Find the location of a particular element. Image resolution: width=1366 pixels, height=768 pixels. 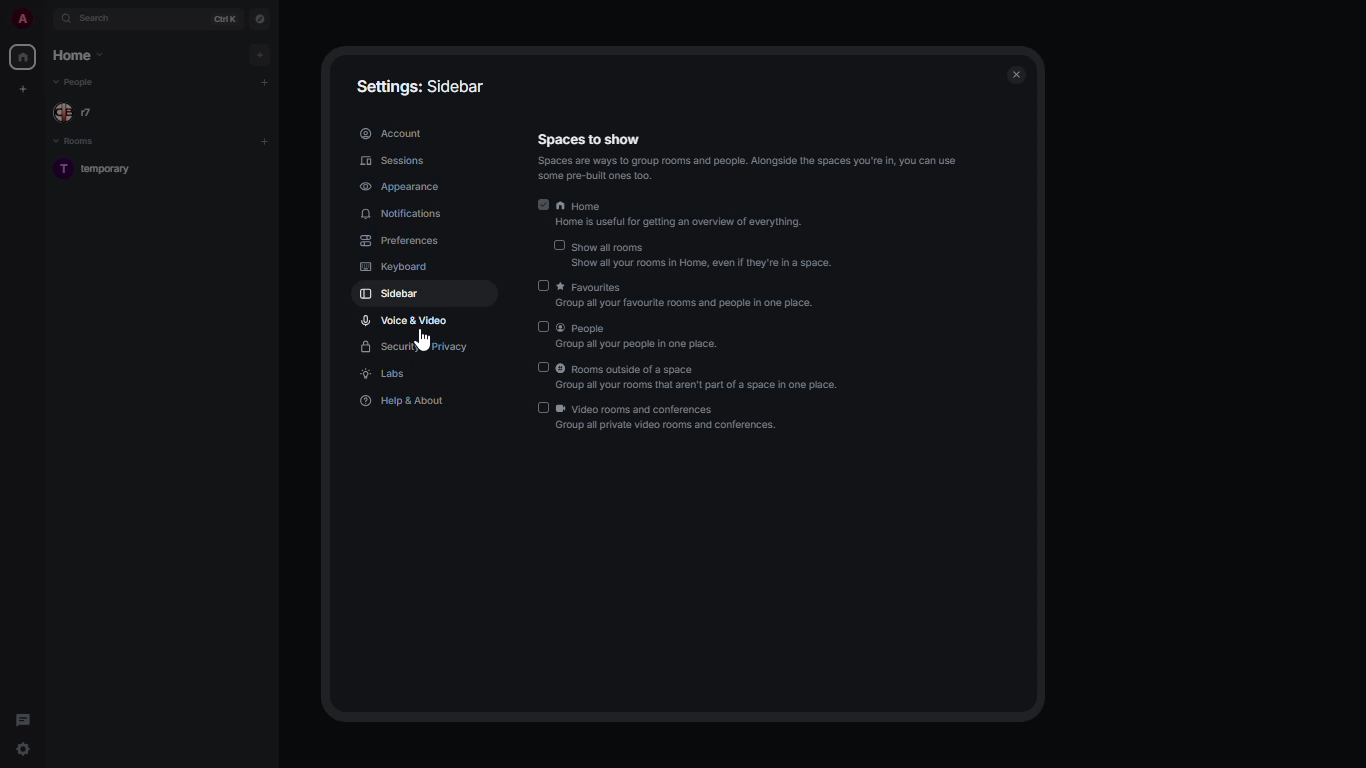

voice & video is located at coordinates (404, 320).